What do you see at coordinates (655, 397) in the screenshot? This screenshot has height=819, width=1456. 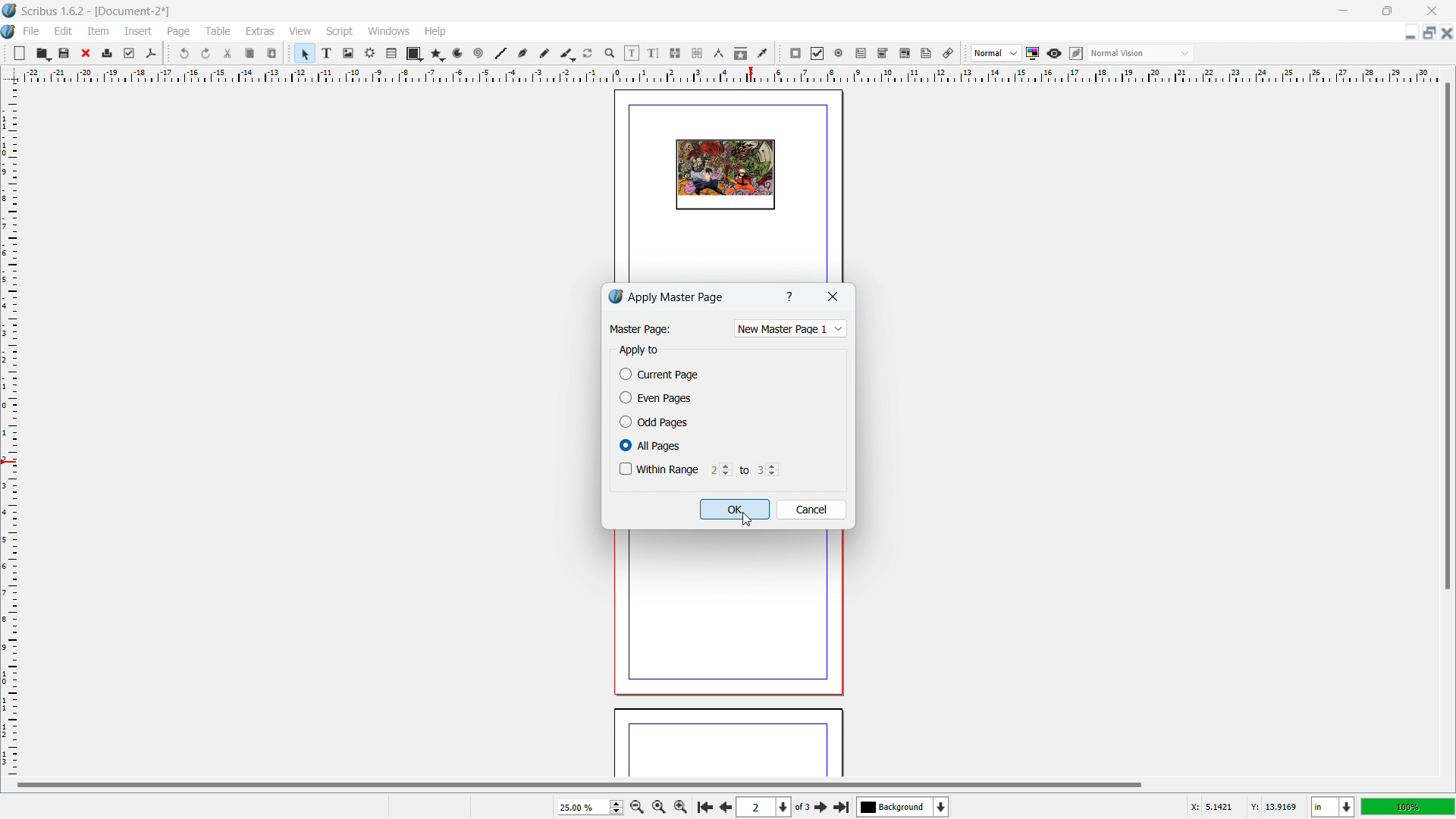 I see `even pages checkbox` at bounding box center [655, 397].